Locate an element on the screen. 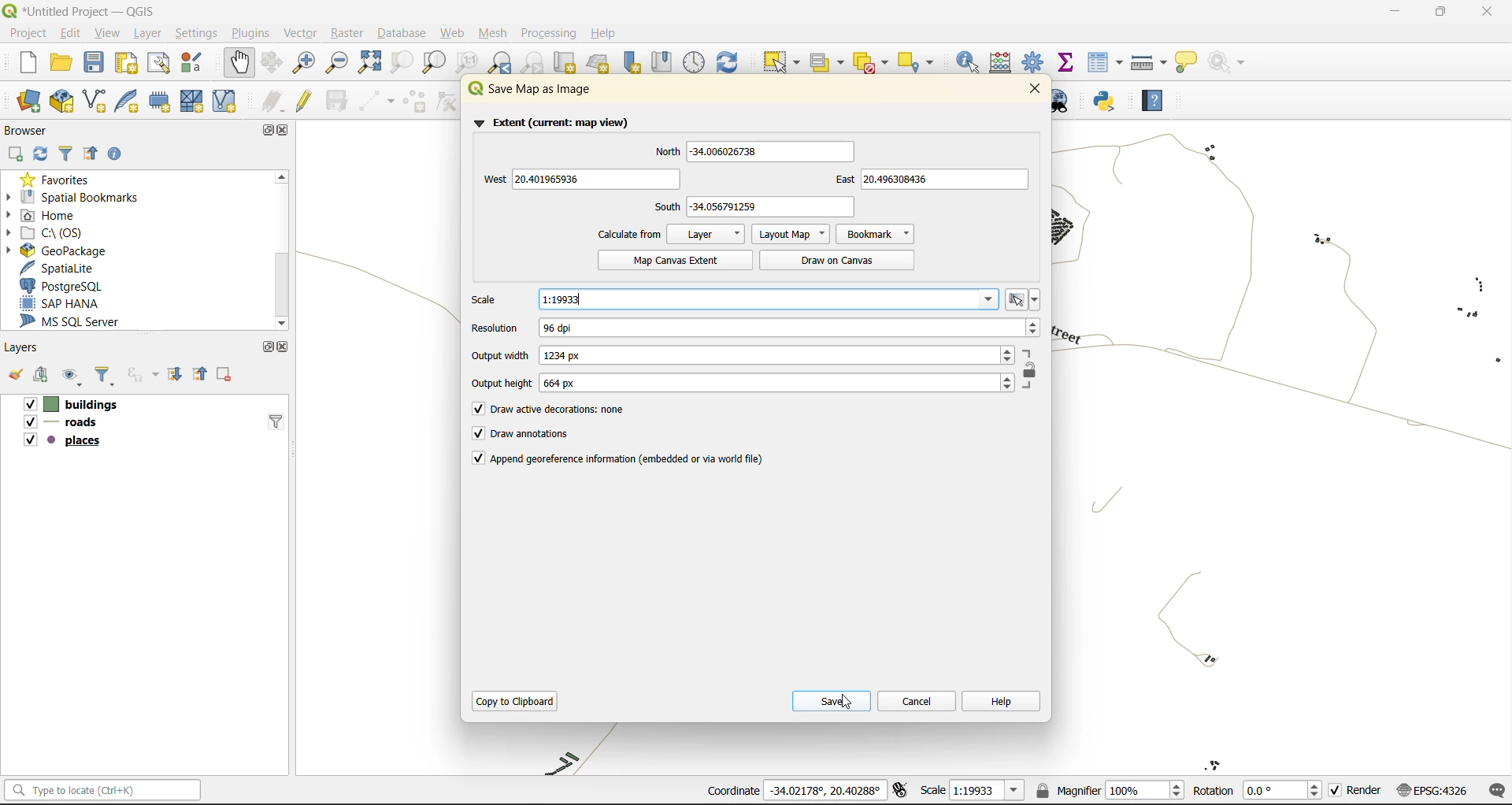  help is located at coordinates (1159, 100).